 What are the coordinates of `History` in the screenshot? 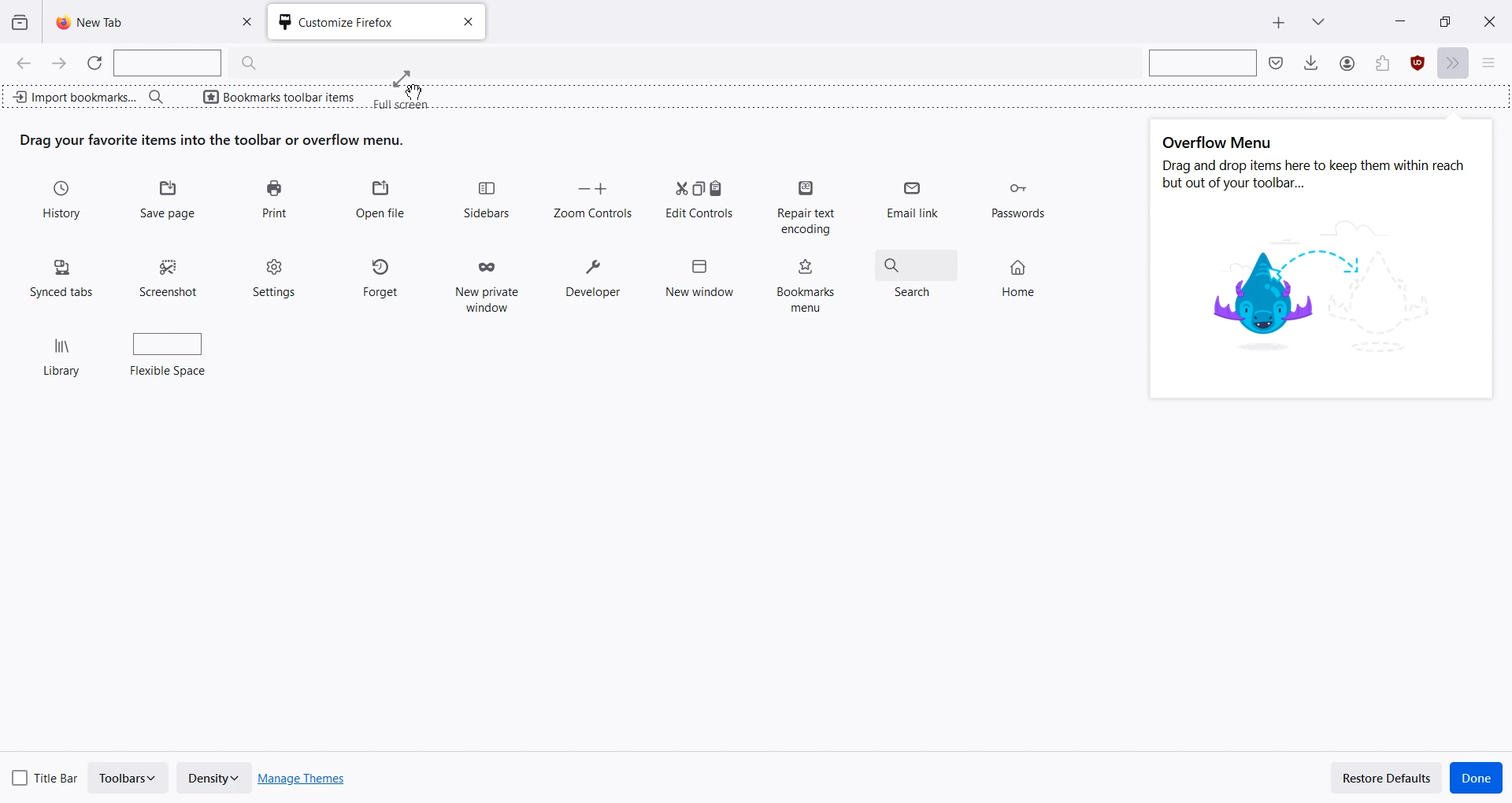 It's located at (64, 201).